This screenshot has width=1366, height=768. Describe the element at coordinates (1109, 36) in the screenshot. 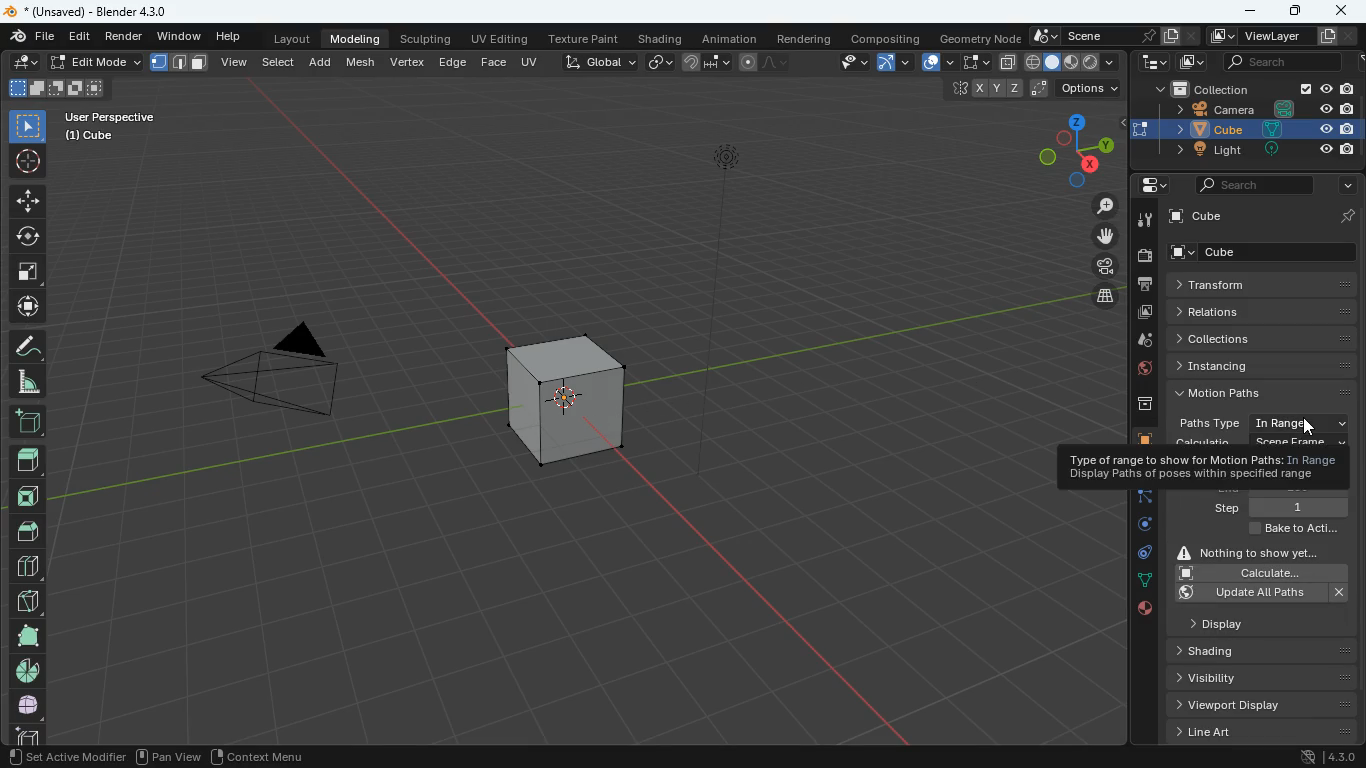

I see `scene` at that location.